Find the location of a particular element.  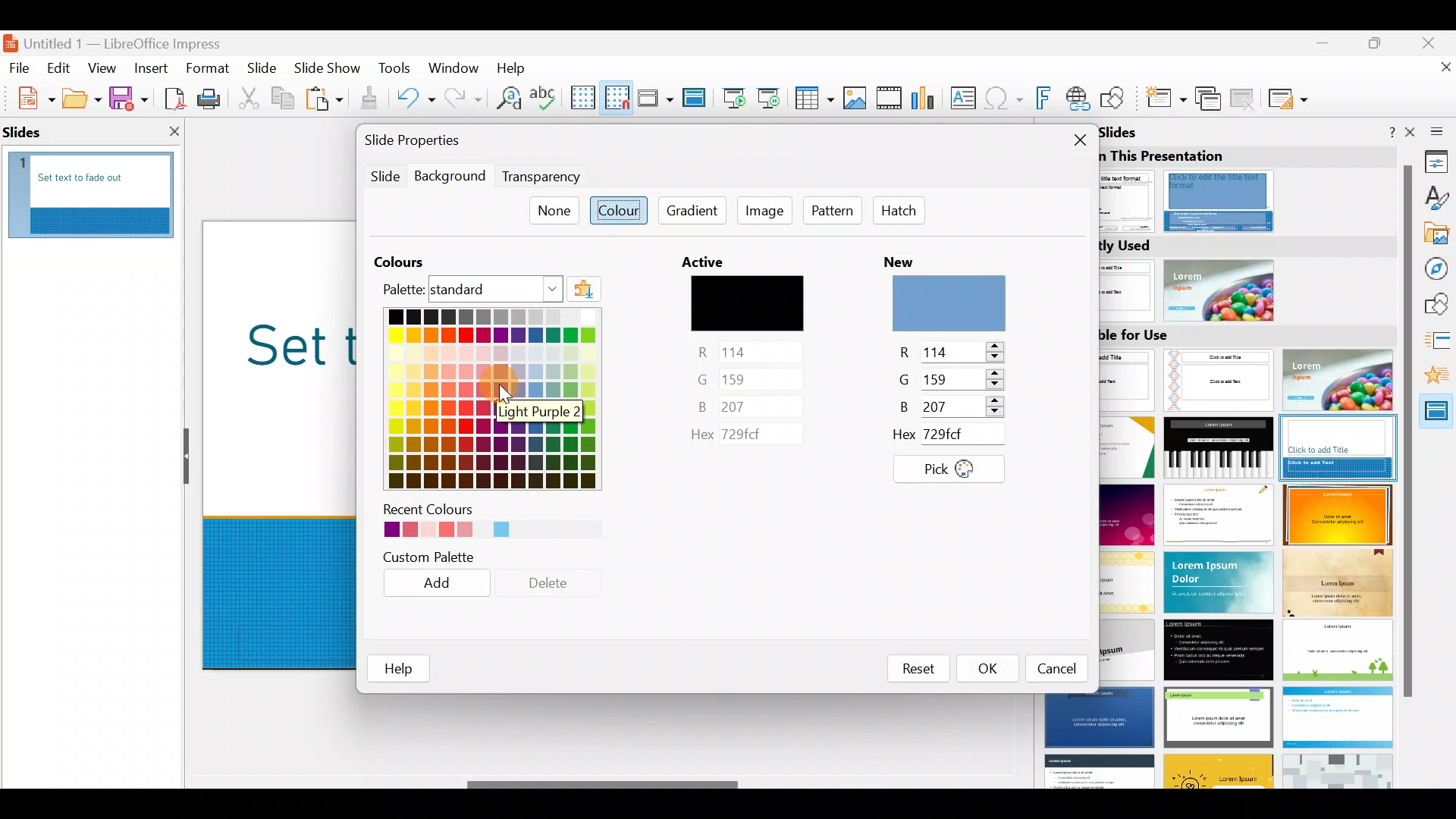

Active colours code is located at coordinates (740, 437).